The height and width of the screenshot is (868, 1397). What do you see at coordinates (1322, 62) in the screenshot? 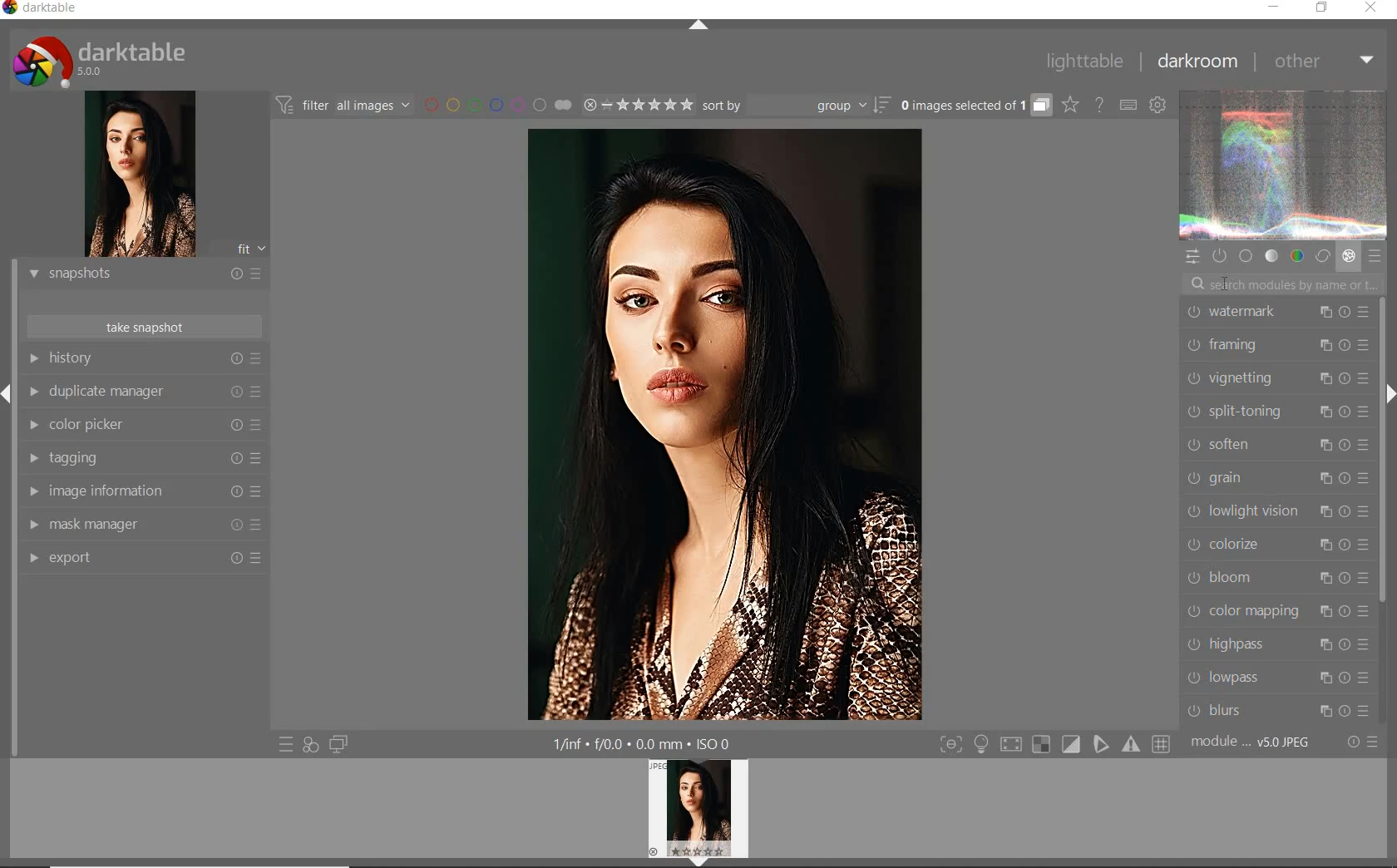
I see `OTHER` at bounding box center [1322, 62].